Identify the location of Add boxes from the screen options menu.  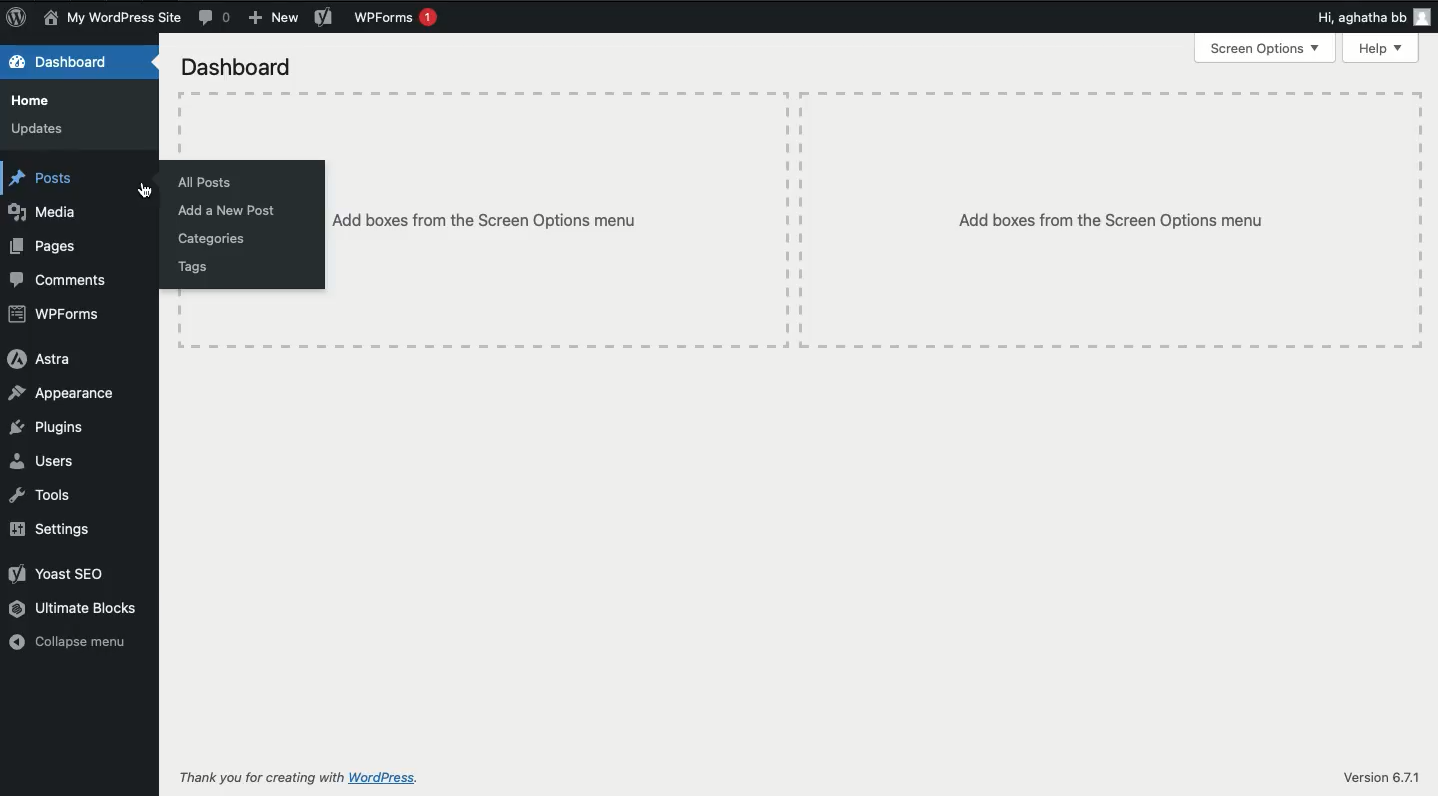
(1114, 221).